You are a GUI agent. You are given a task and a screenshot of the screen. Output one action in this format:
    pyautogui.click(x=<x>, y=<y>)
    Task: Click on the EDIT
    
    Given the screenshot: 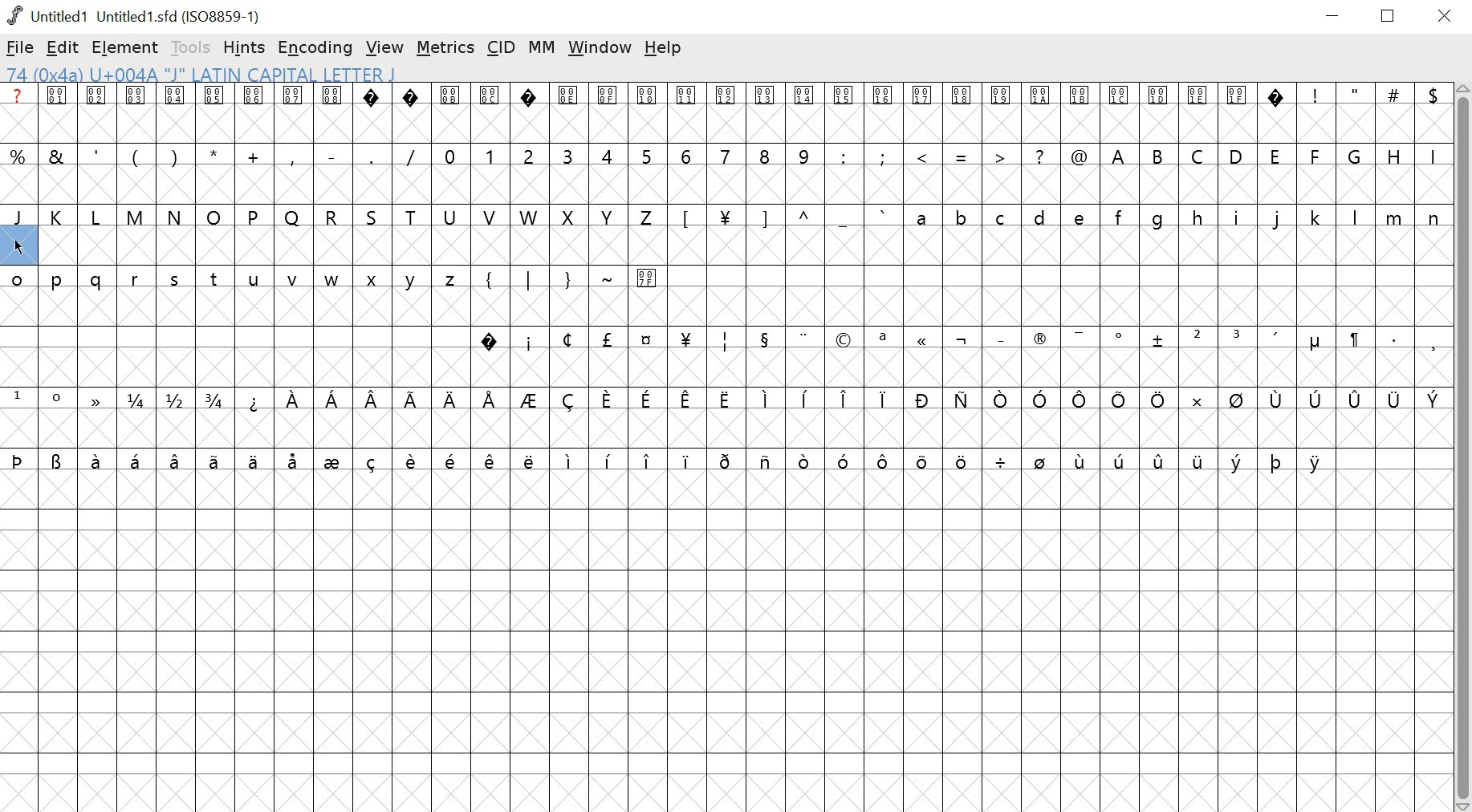 What is the action you would take?
    pyautogui.click(x=63, y=49)
    